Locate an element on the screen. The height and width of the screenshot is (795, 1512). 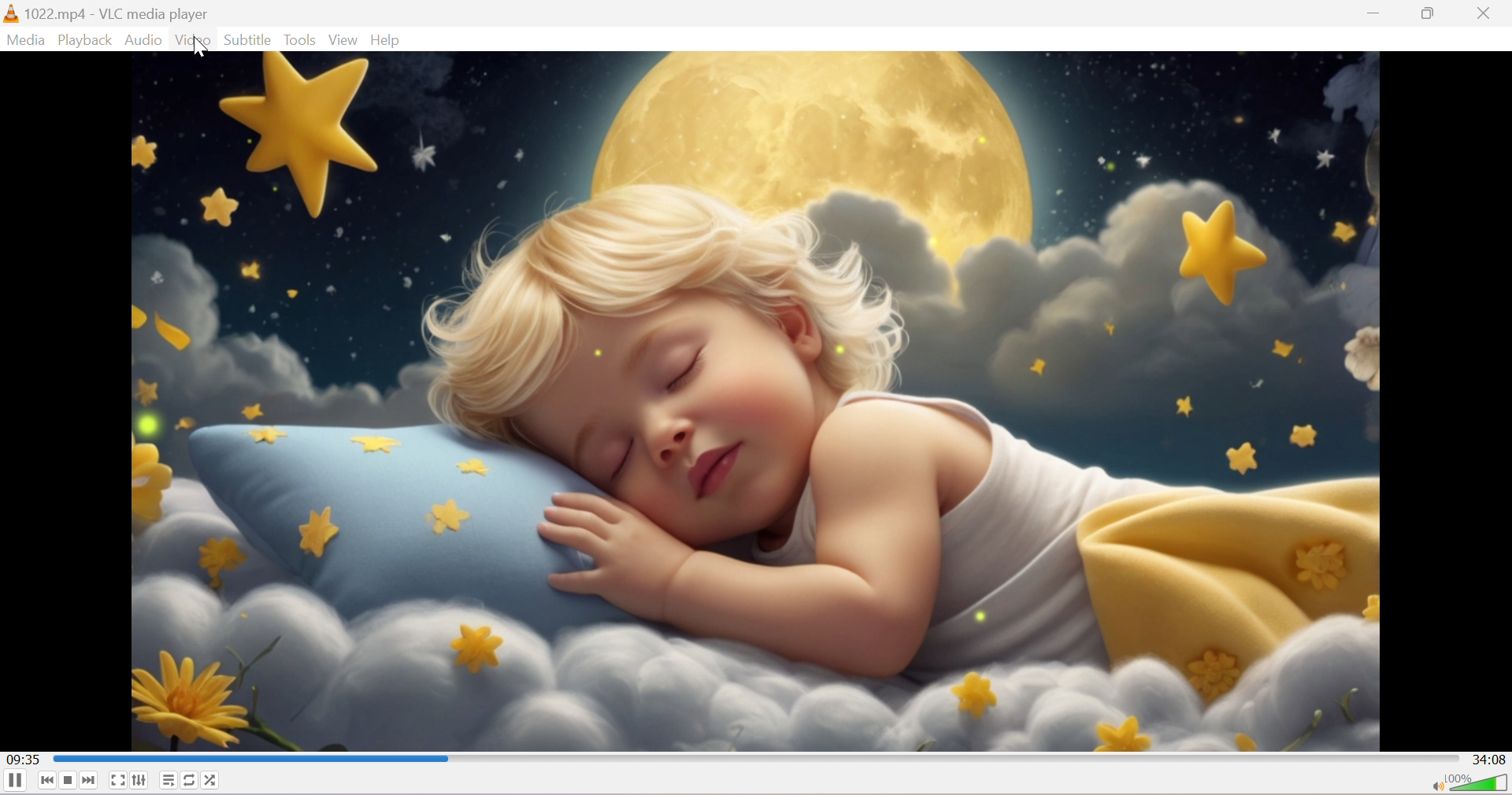
1022.mp4 - VLC media player is located at coordinates (118, 13).